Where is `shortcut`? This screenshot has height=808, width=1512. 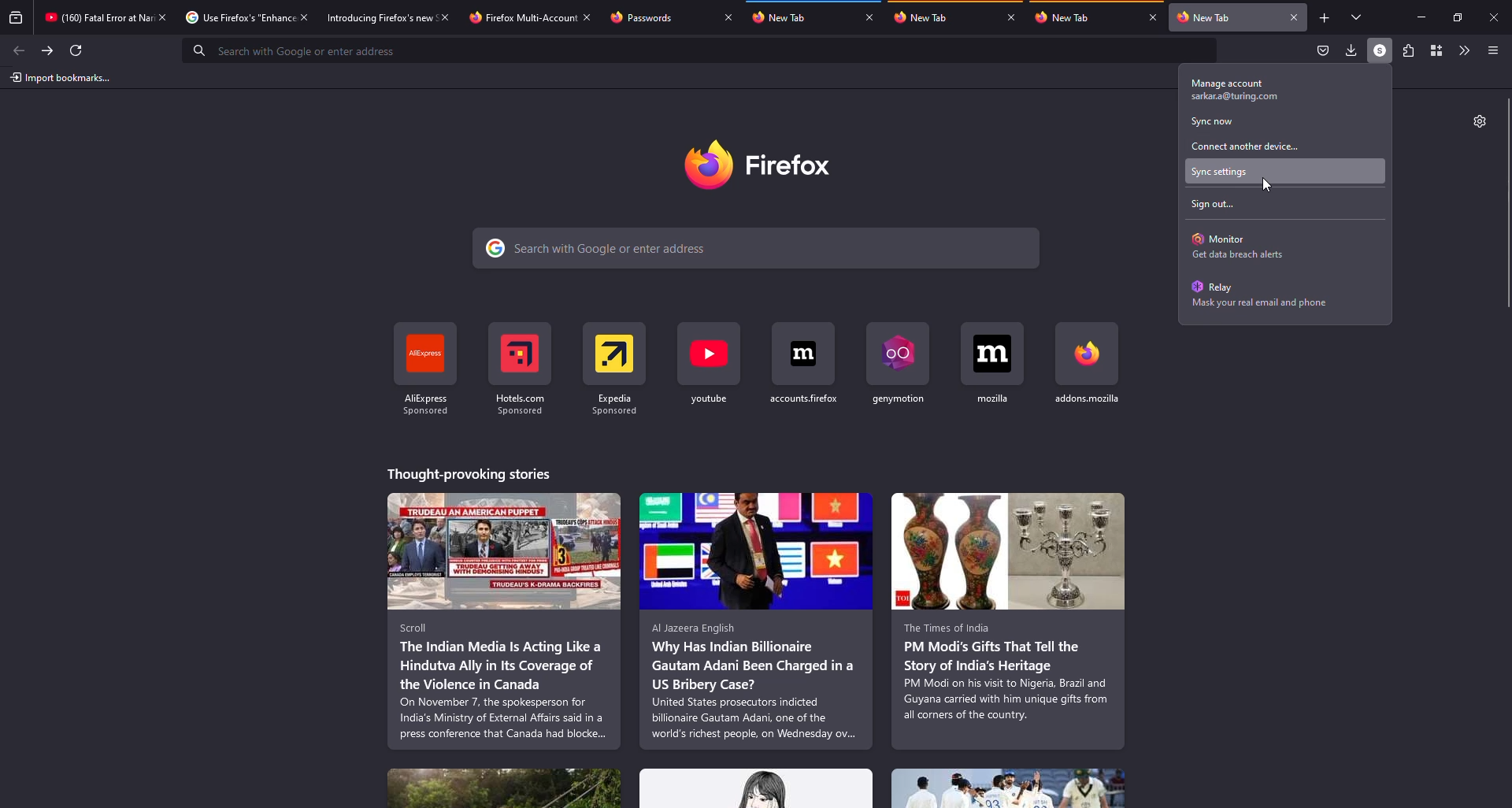 shortcut is located at coordinates (521, 368).